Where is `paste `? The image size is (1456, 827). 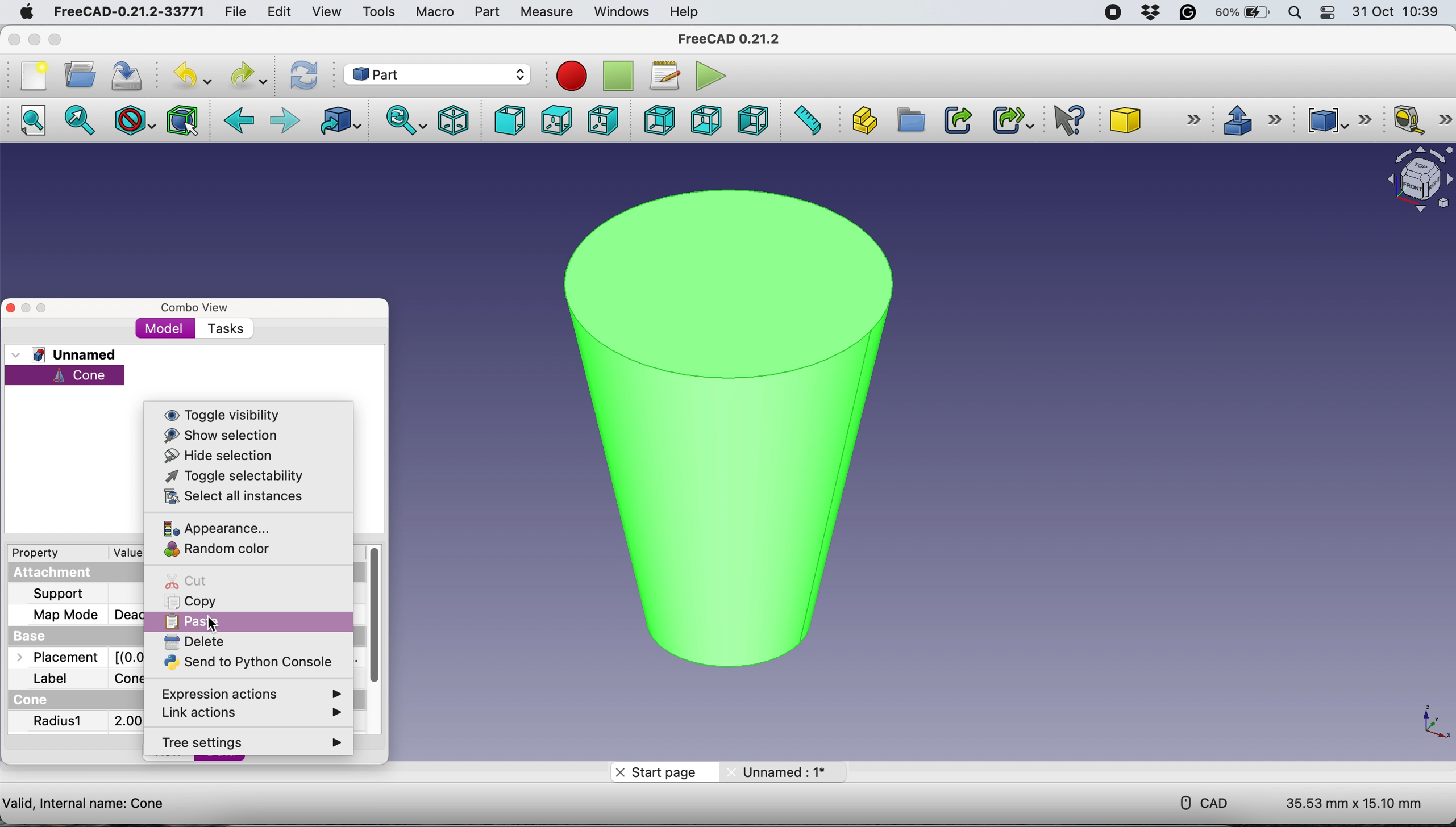 paste  is located at coordinates (248, 621).